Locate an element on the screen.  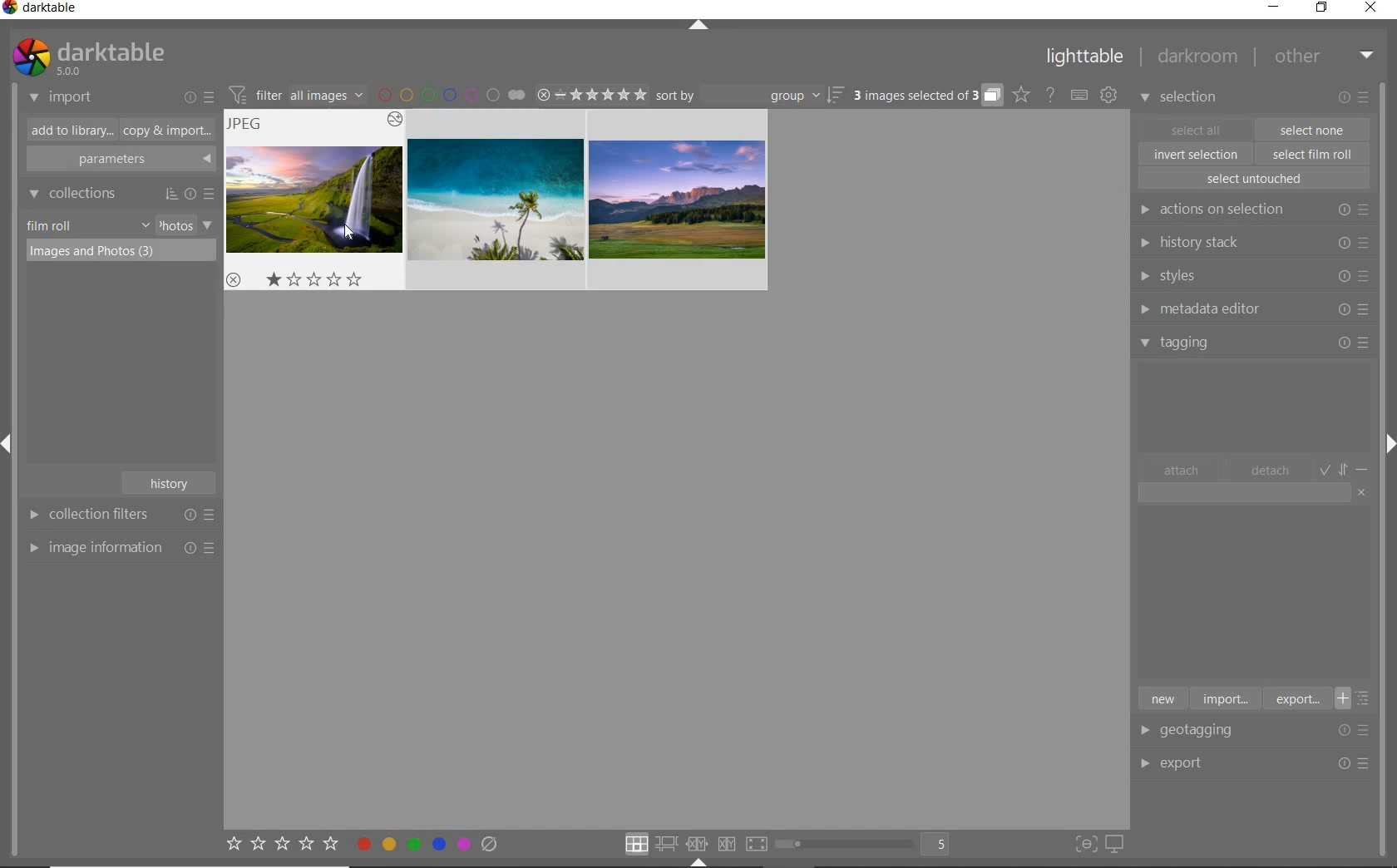
geotagging is located at coordinates (1202, 732).